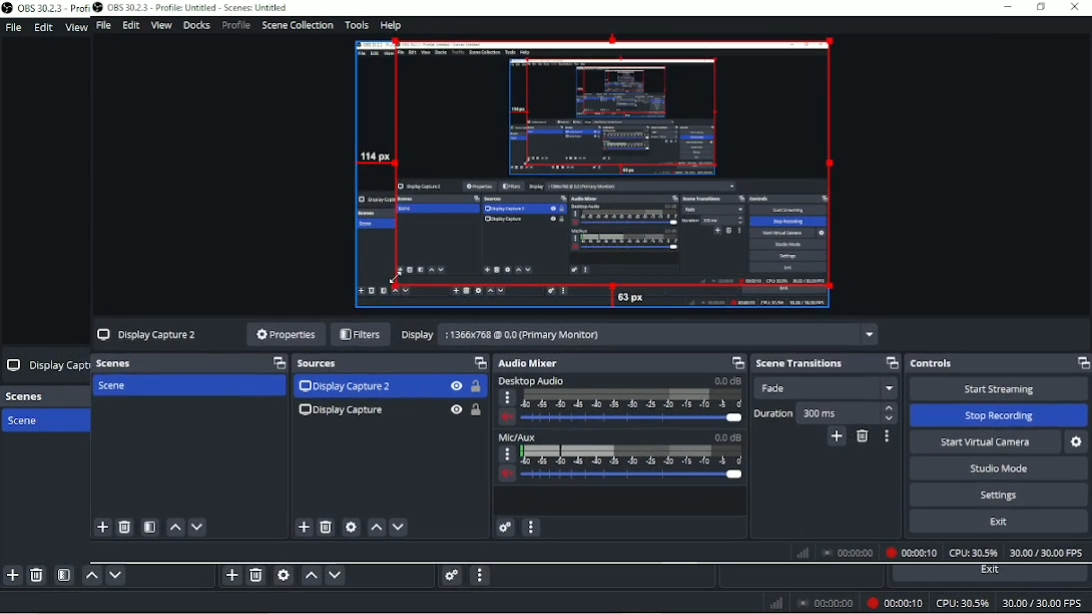 This screenshot has height=614, width=1092. Describe the element at coordinates (31, 396) in the screenshot. I see `Scenes` at that location.